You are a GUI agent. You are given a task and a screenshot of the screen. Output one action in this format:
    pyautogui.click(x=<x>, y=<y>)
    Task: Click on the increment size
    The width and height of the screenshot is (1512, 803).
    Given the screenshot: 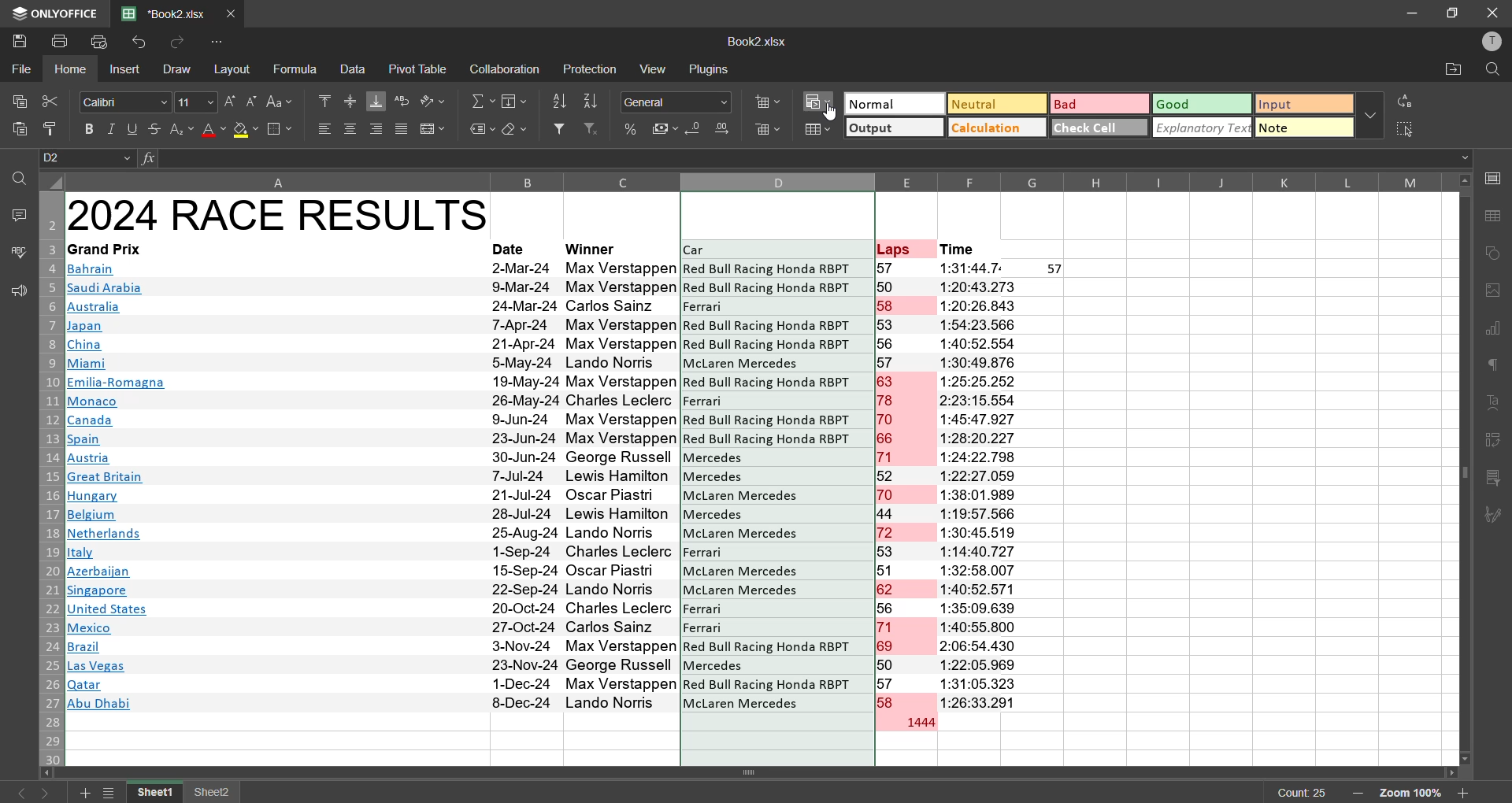 What is the action you would take?
    pyautogui.click(x=230, y=102)
    